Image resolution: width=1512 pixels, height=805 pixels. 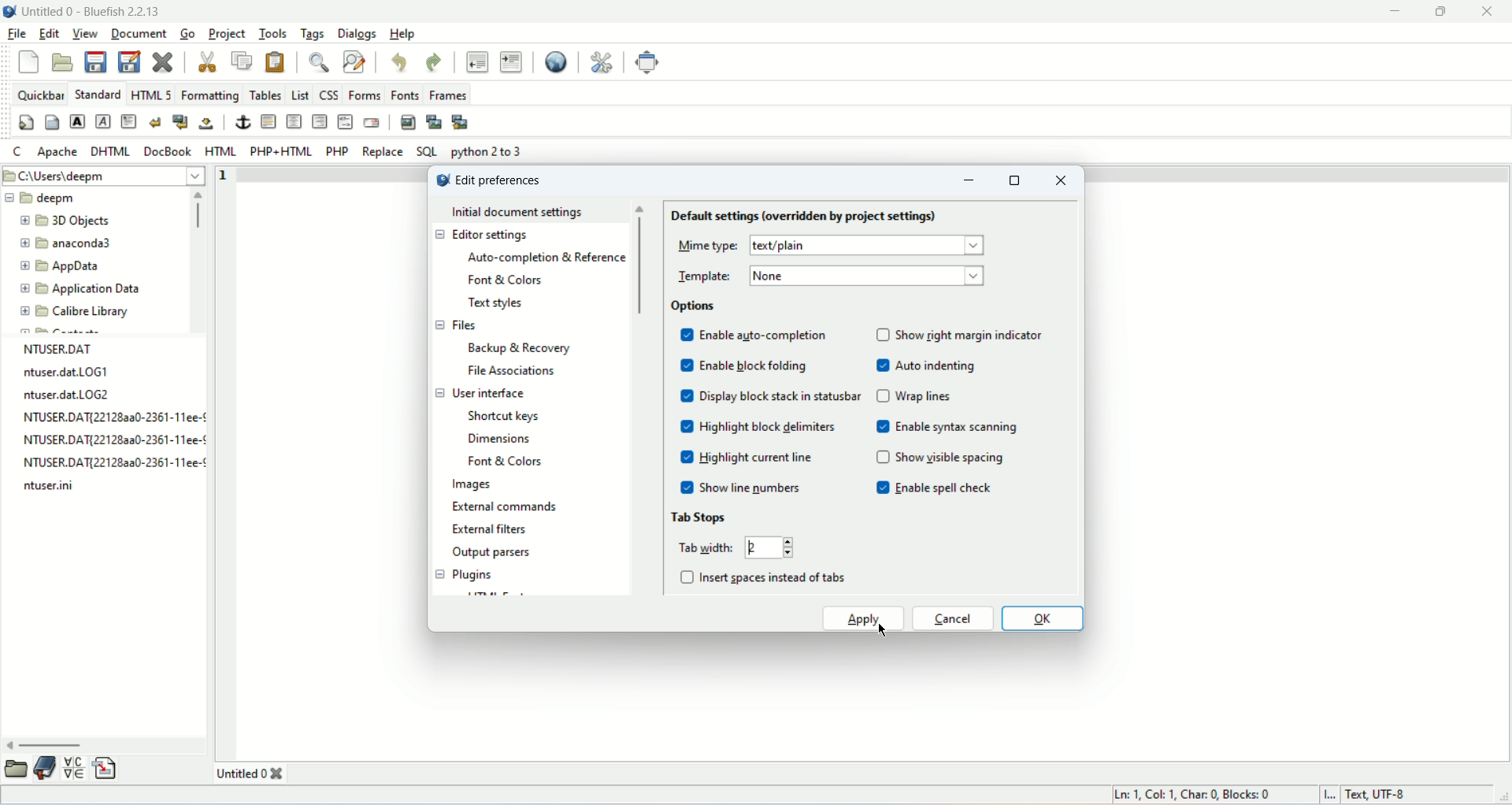 I want to click on REPLACE, so click(x=382, y=151).